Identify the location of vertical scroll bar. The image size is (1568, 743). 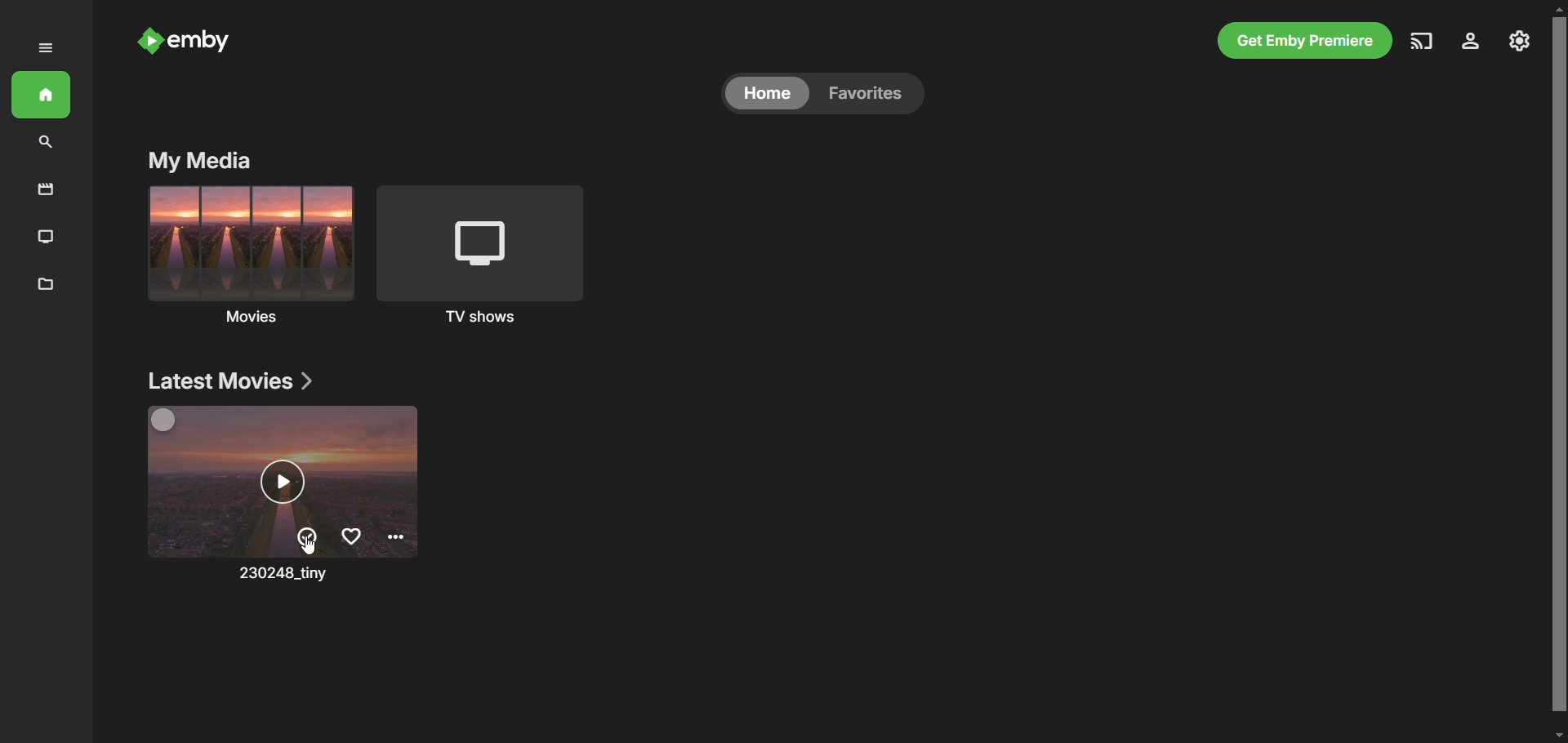
(1558, 374).